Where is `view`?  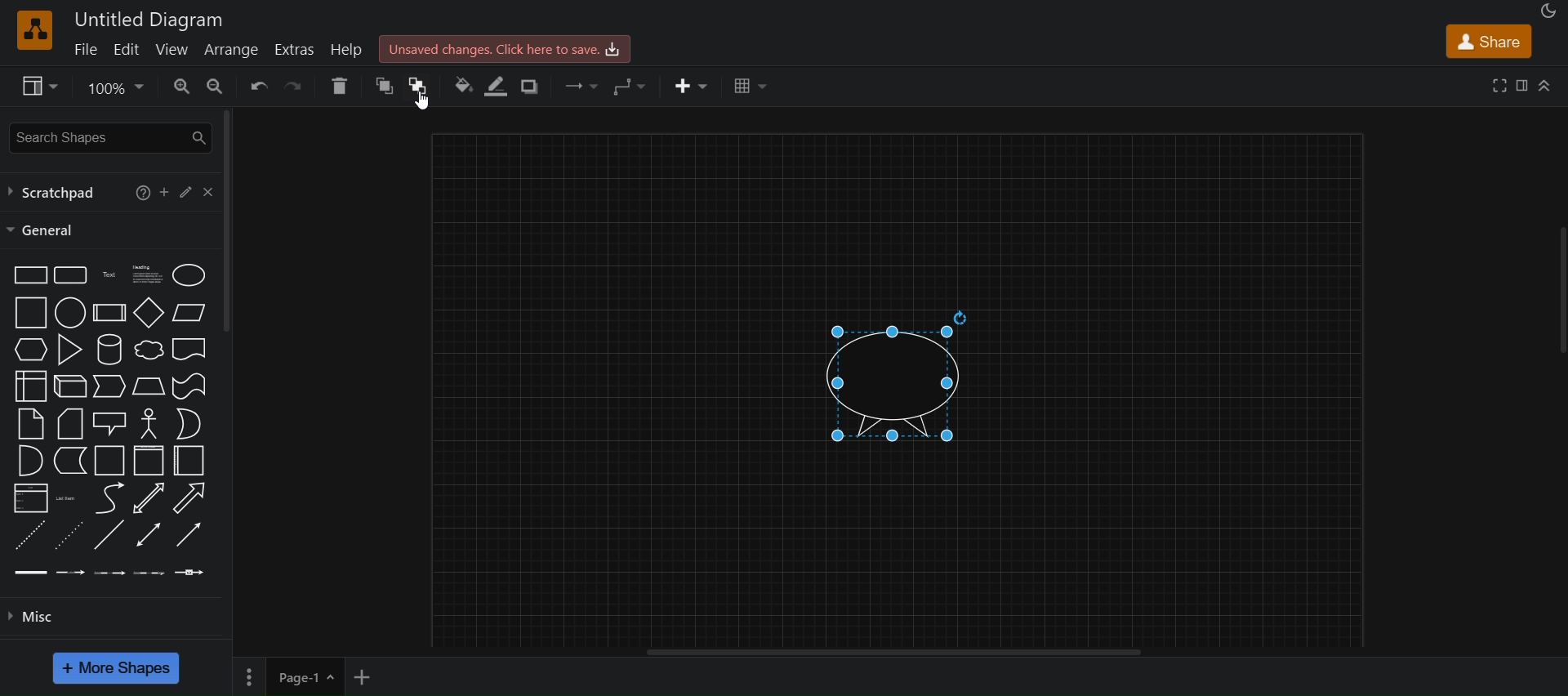
view is located at coordinates (36, 85).